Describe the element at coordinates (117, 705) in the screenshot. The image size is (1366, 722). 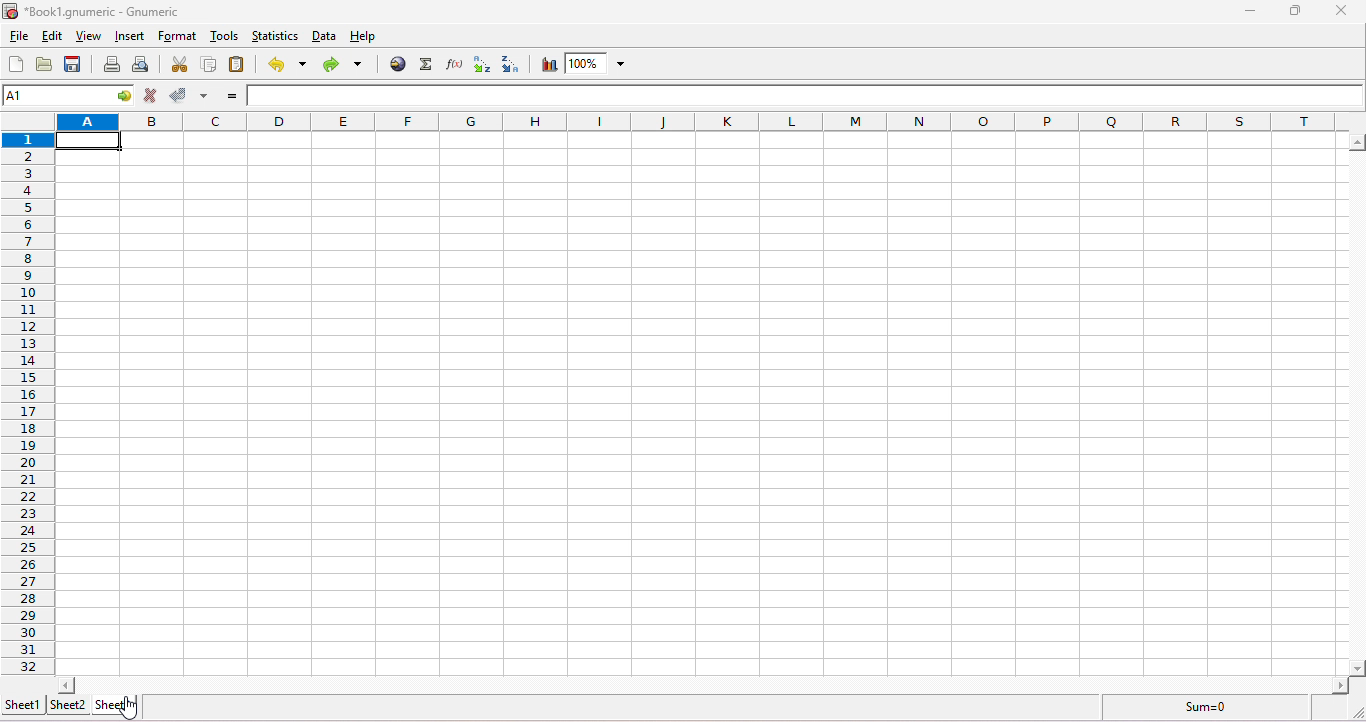
I see `sheet 3` at that location.